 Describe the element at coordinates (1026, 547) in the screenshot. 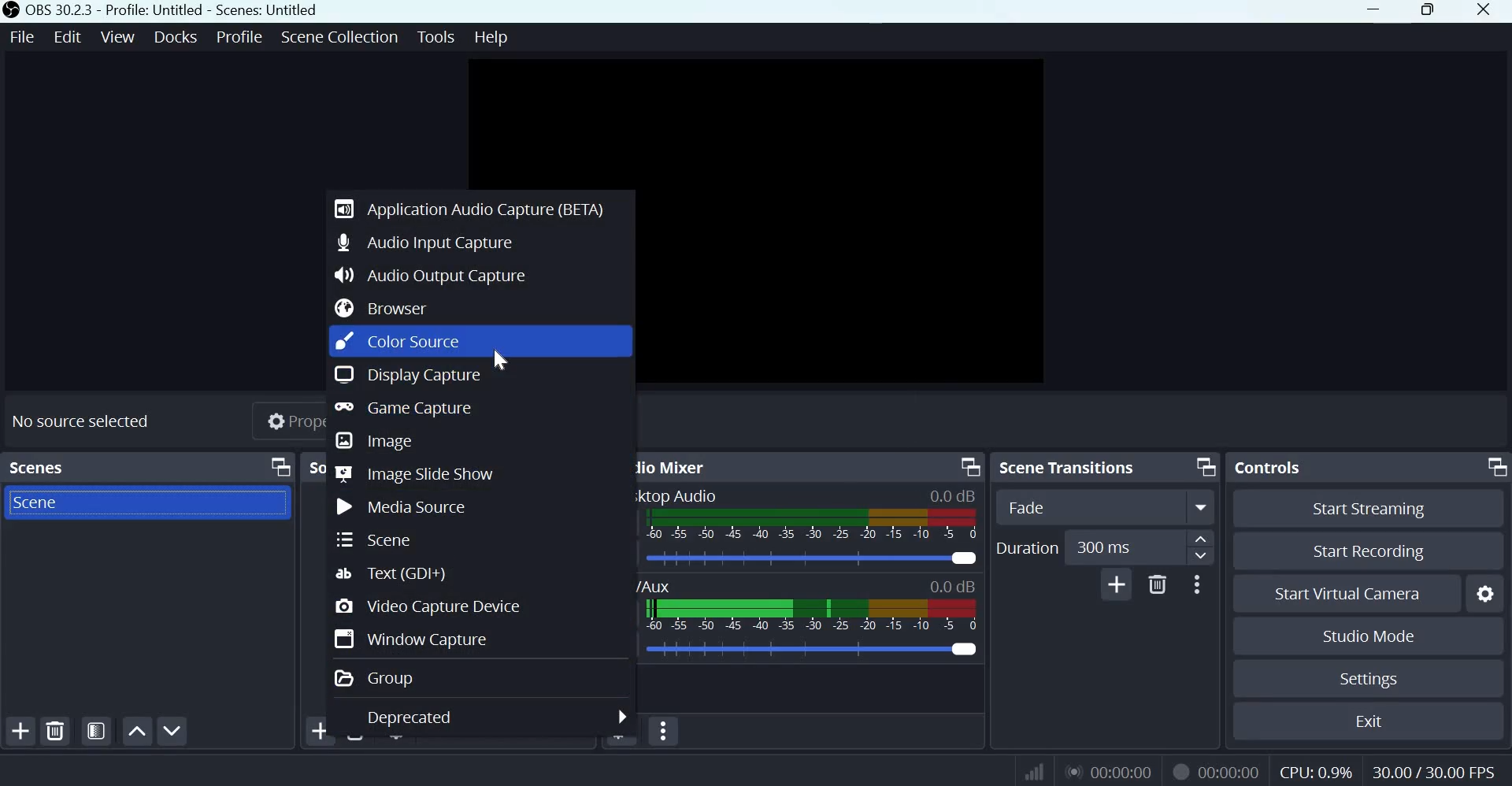

I see `Duration` at that location.